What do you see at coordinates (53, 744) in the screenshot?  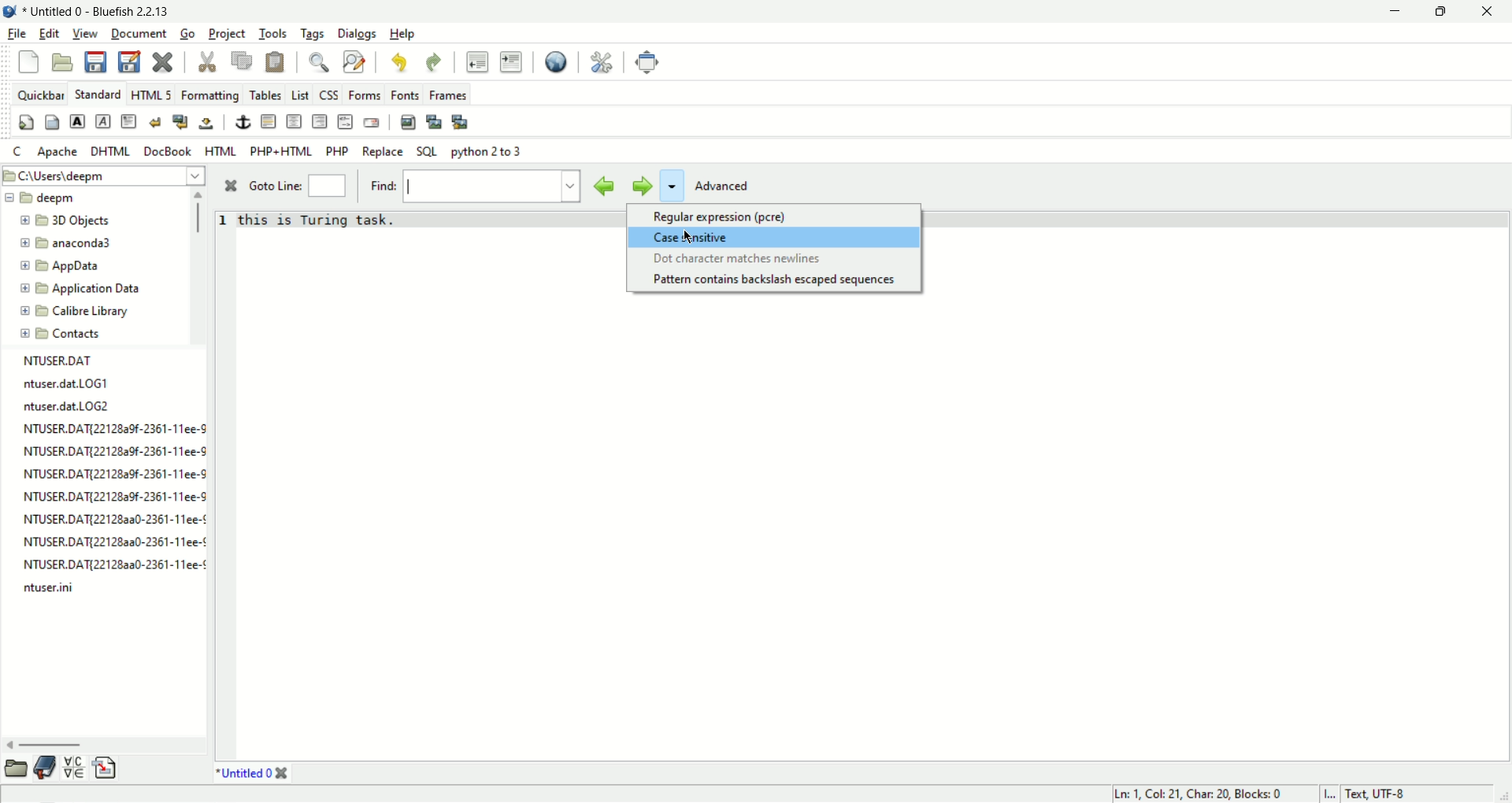 I see `horizontal scroll bar` at bounding box center [53, 744].